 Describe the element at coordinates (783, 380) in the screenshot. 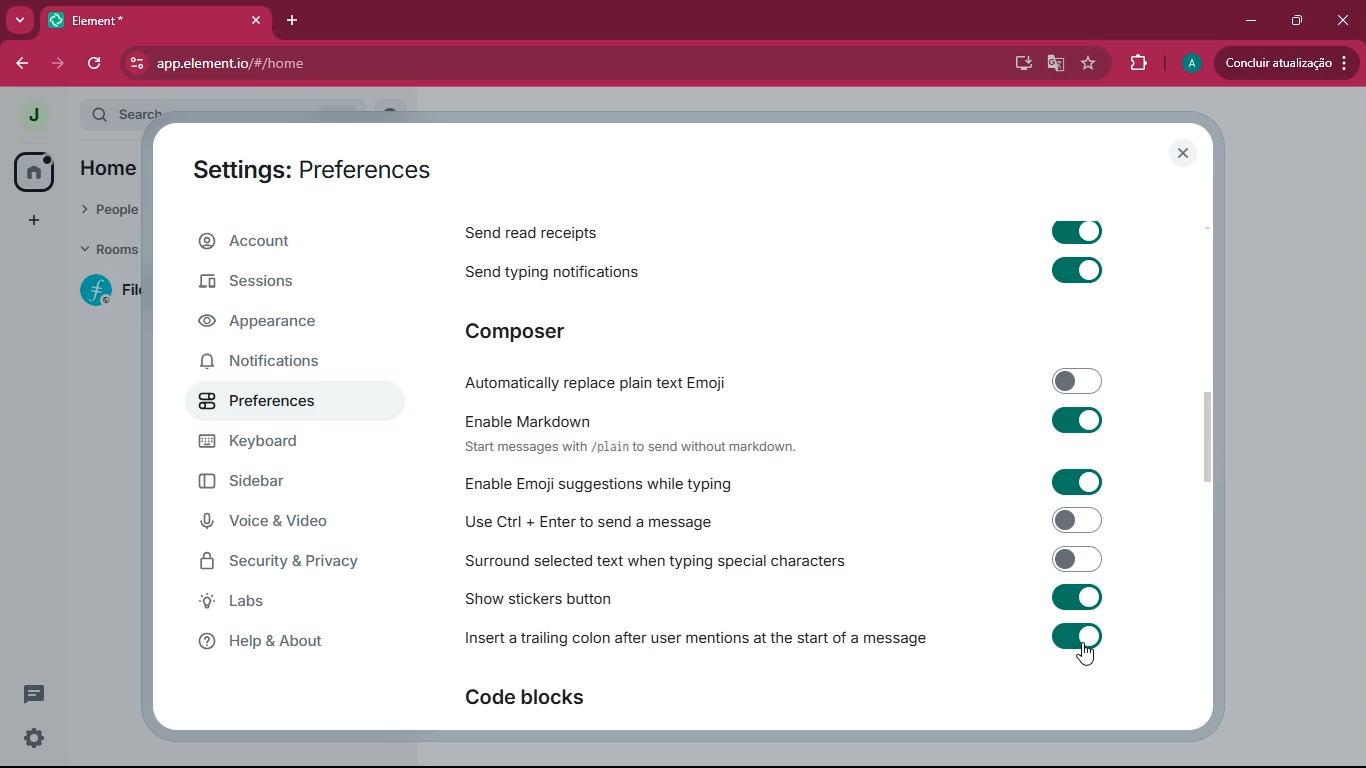

I see `Automatically replace plain text Emoji` at that location.